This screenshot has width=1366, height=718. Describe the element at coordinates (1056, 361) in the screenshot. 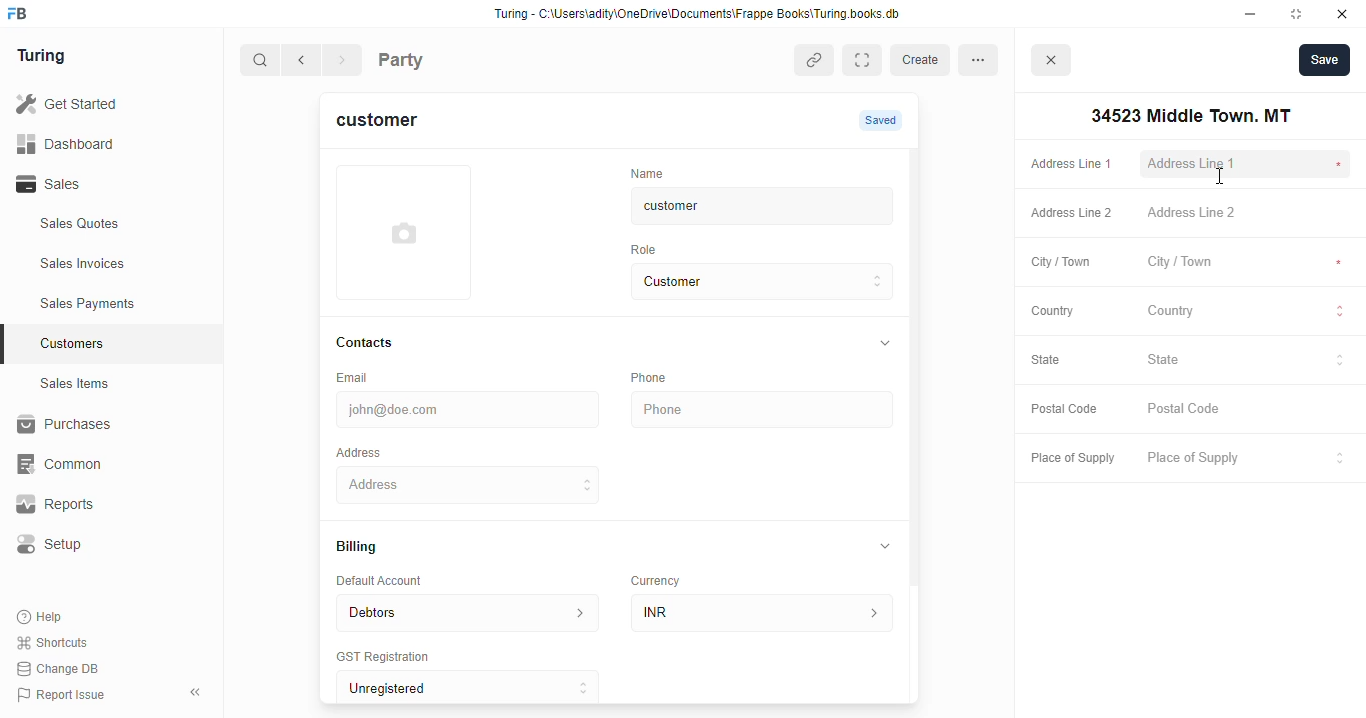

I see `State` at that location.